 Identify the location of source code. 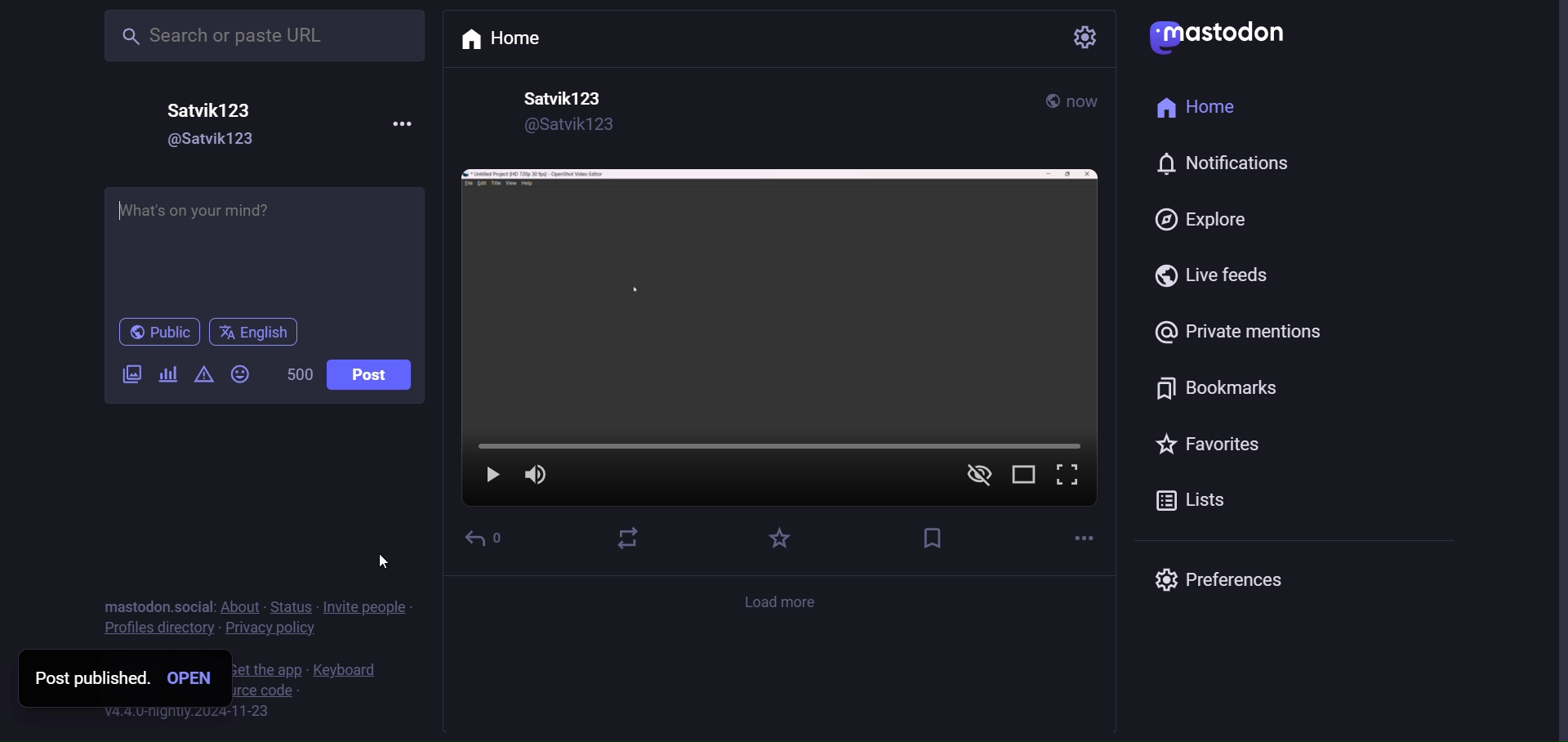
(275, 692).